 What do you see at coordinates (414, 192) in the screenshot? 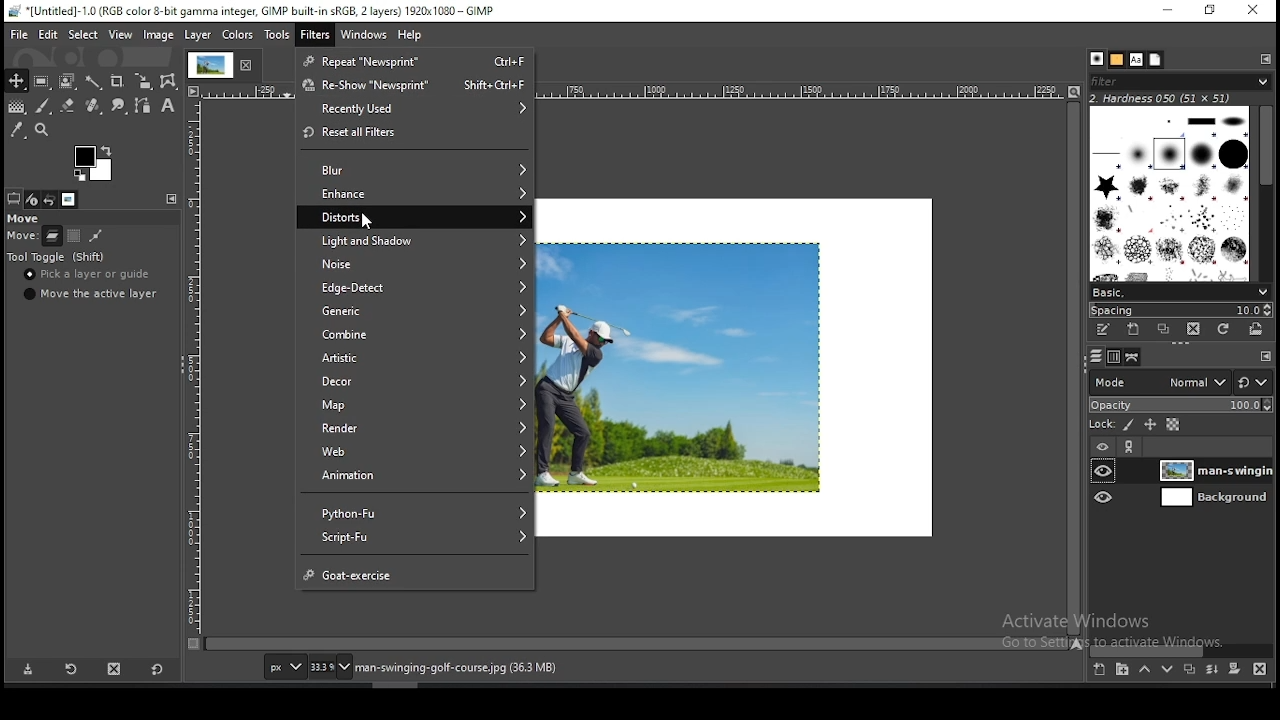
I see `enhance` at bounding box center [414, 192].